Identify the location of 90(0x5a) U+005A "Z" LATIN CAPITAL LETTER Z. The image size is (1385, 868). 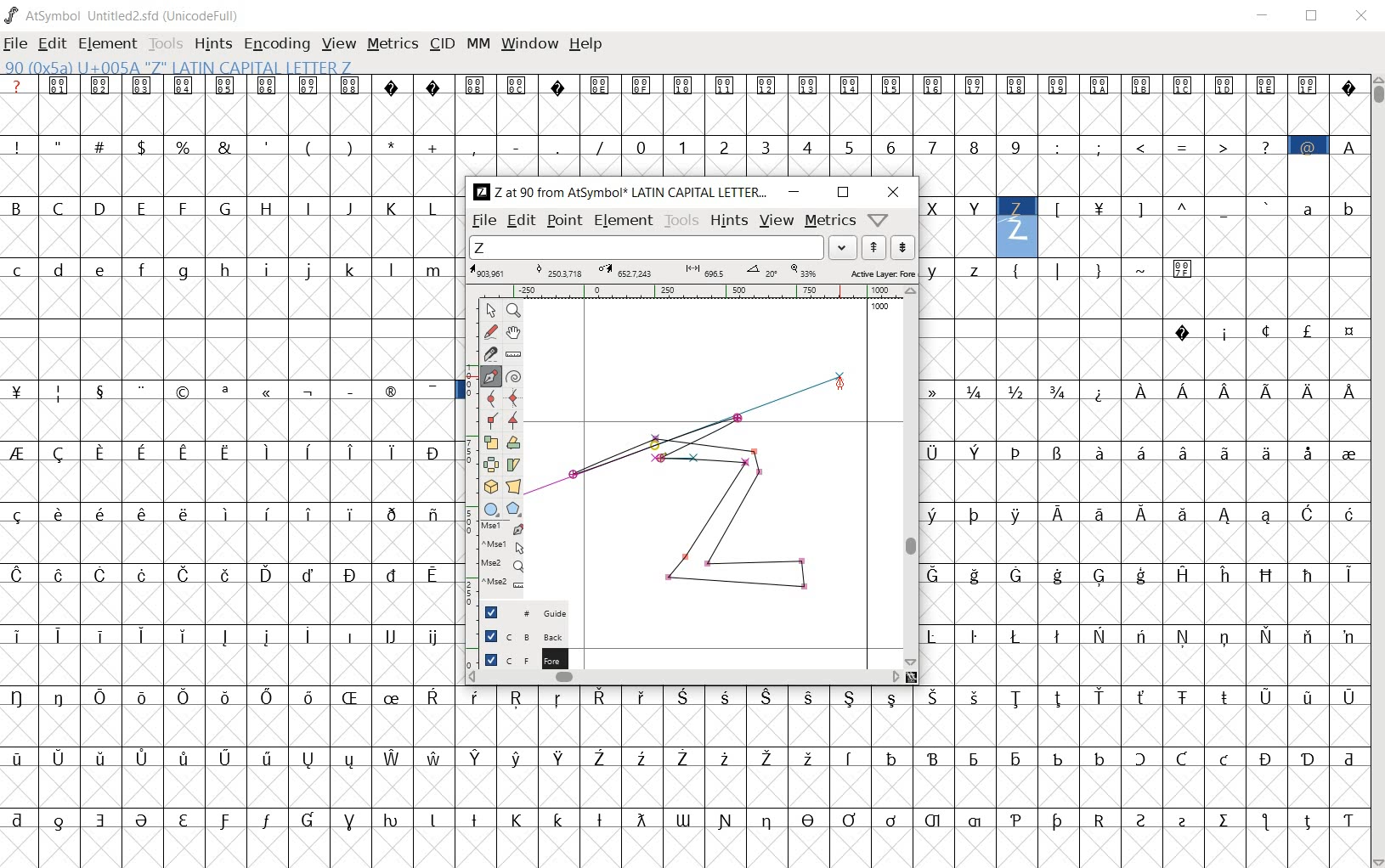
(178, 68).